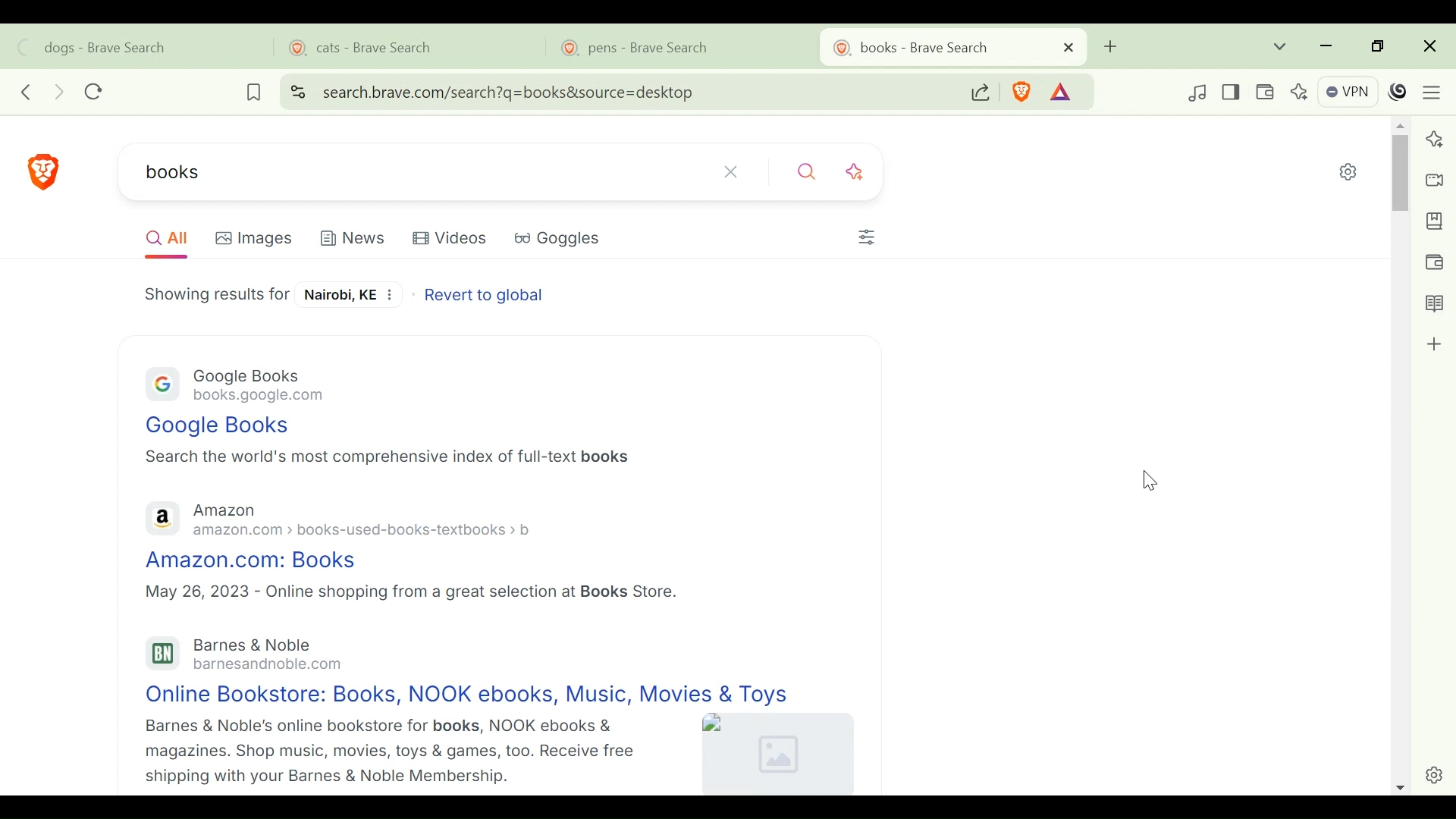 The height and width of the screenshot is (819, 1456). Describe the element at coordinates (99, 93) in the screenshot. I see `RELOAD` at that location.